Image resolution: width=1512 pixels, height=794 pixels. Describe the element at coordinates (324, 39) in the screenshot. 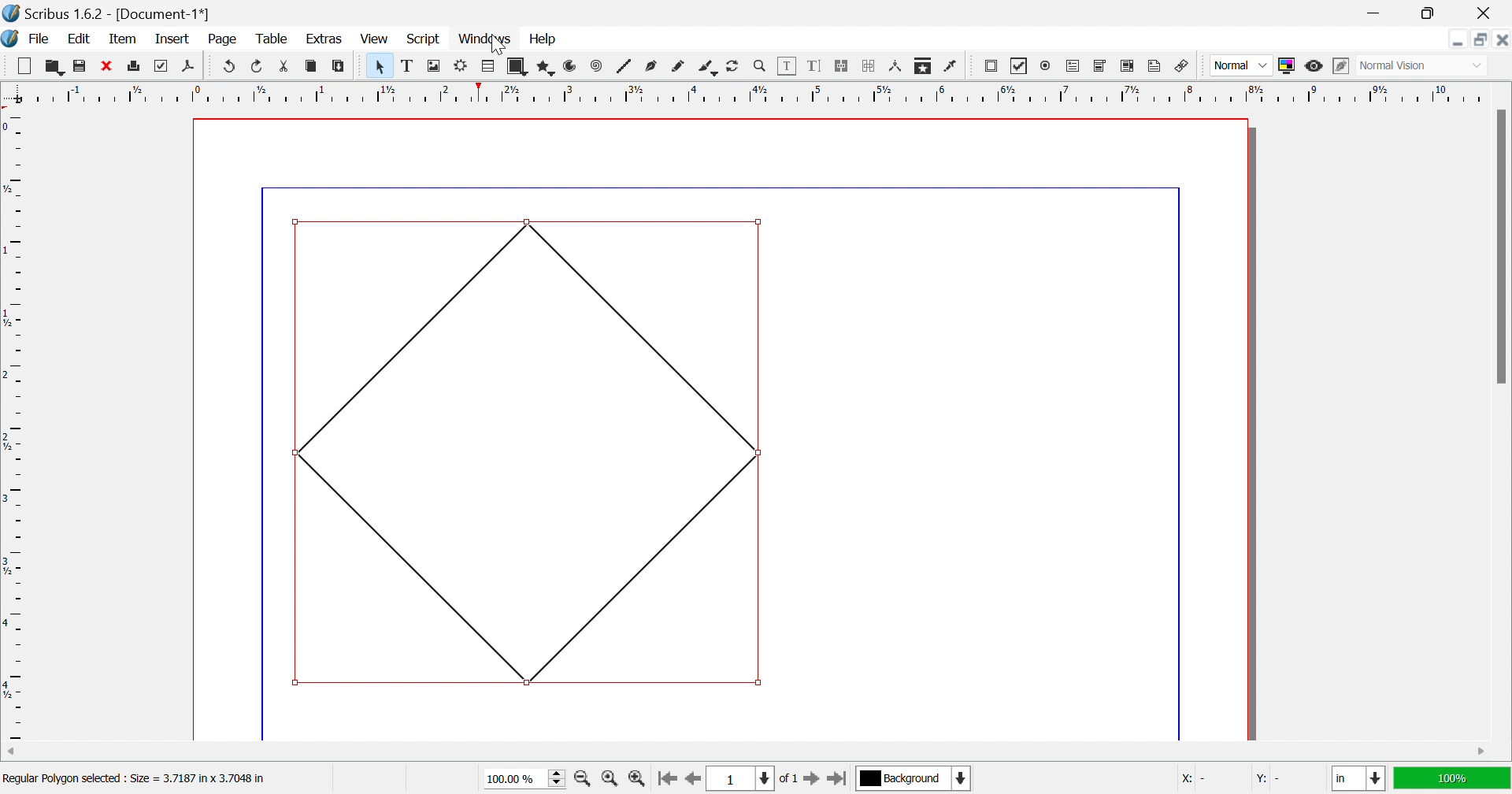

I see `Extras` at that location.